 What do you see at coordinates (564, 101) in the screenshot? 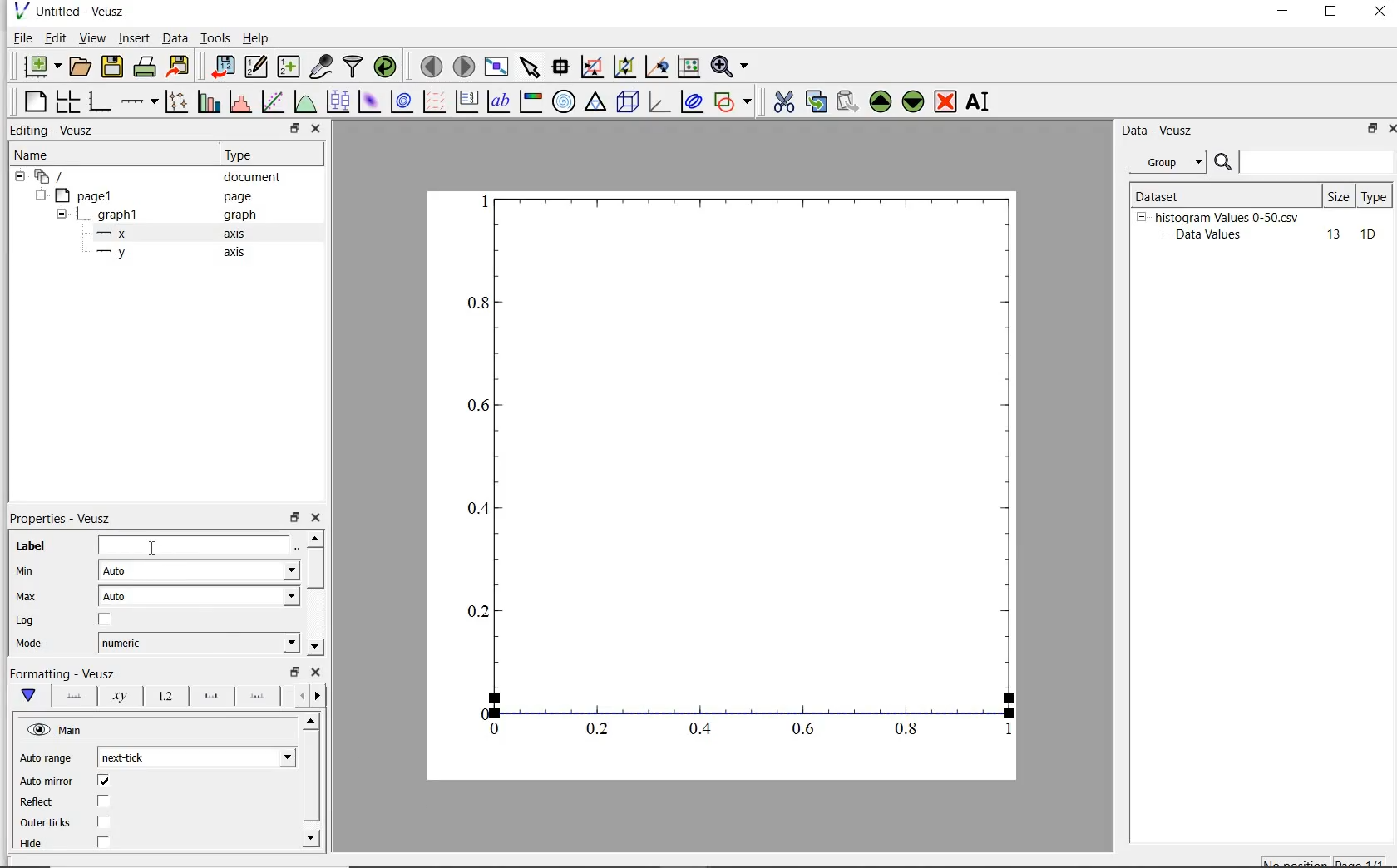
I see `polar graph` at bounding box center [564, 101].